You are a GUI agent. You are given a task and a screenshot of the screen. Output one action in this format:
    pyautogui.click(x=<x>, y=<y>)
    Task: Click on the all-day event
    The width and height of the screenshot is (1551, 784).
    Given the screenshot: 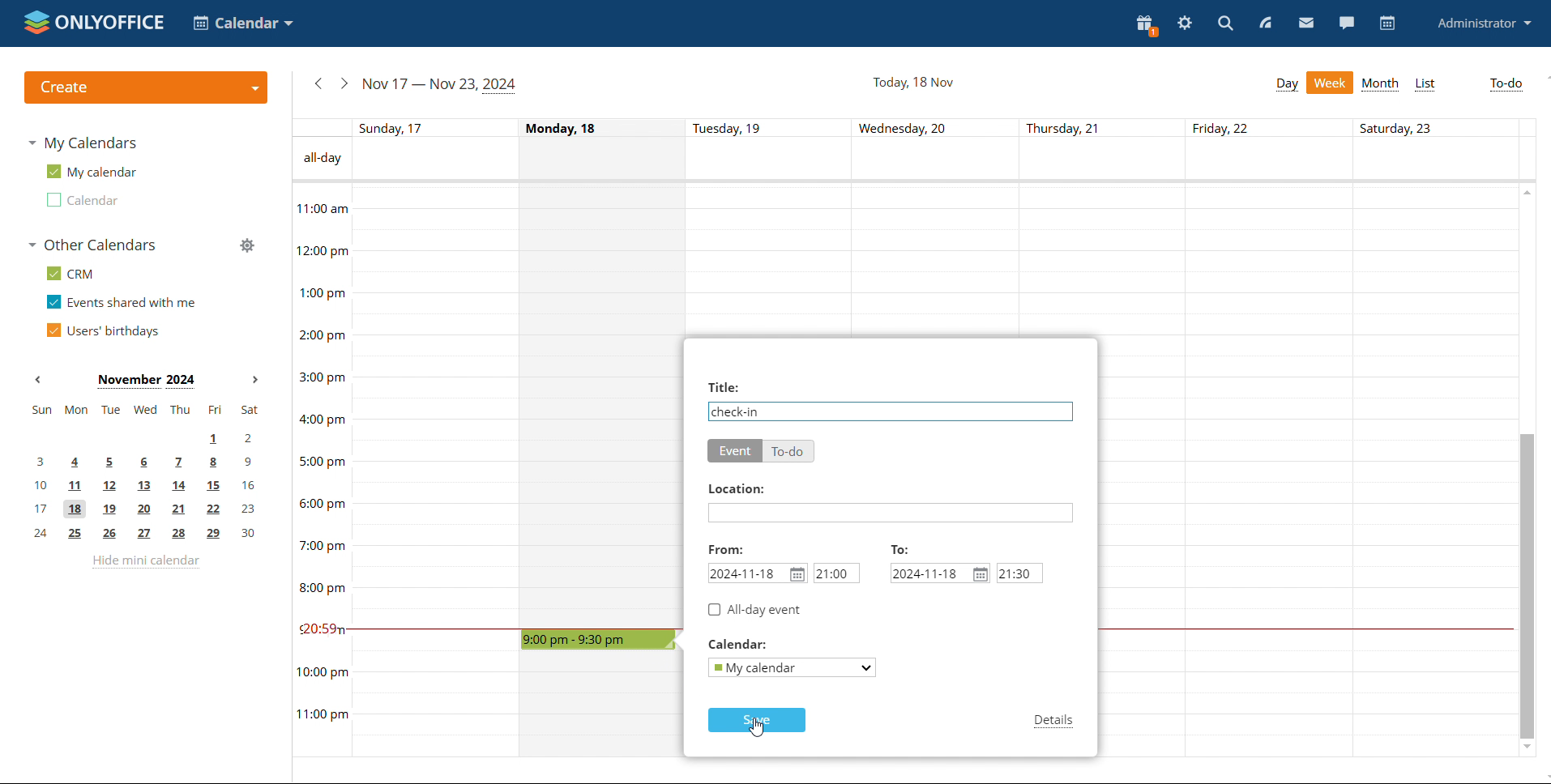 What is the action you would take?
    pyautogui.click(x=934, y=160)
    